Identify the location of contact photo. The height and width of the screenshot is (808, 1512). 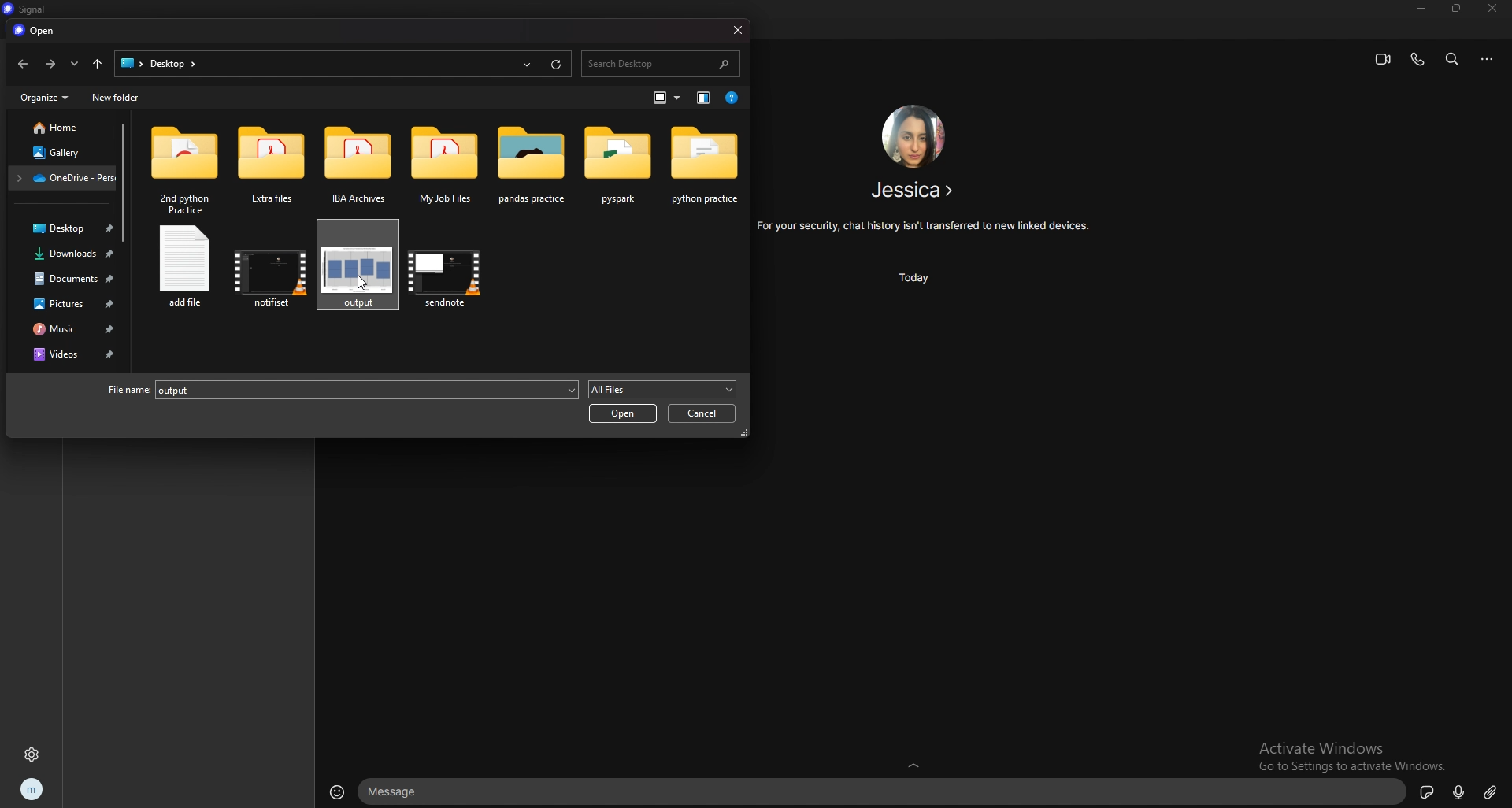
(914, 136).